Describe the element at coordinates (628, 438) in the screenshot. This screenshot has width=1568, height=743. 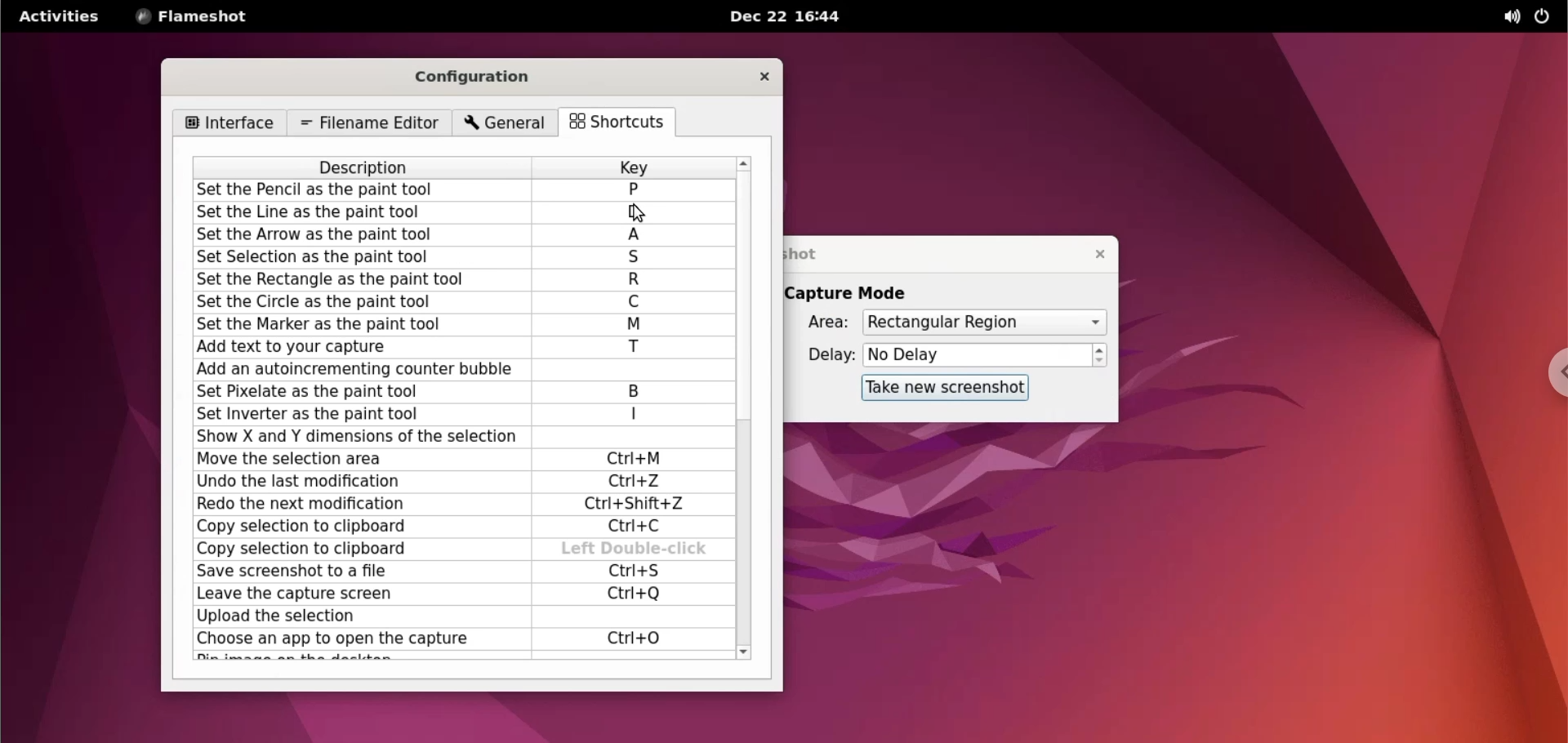
I see `enter shortcut textbox` at that location.